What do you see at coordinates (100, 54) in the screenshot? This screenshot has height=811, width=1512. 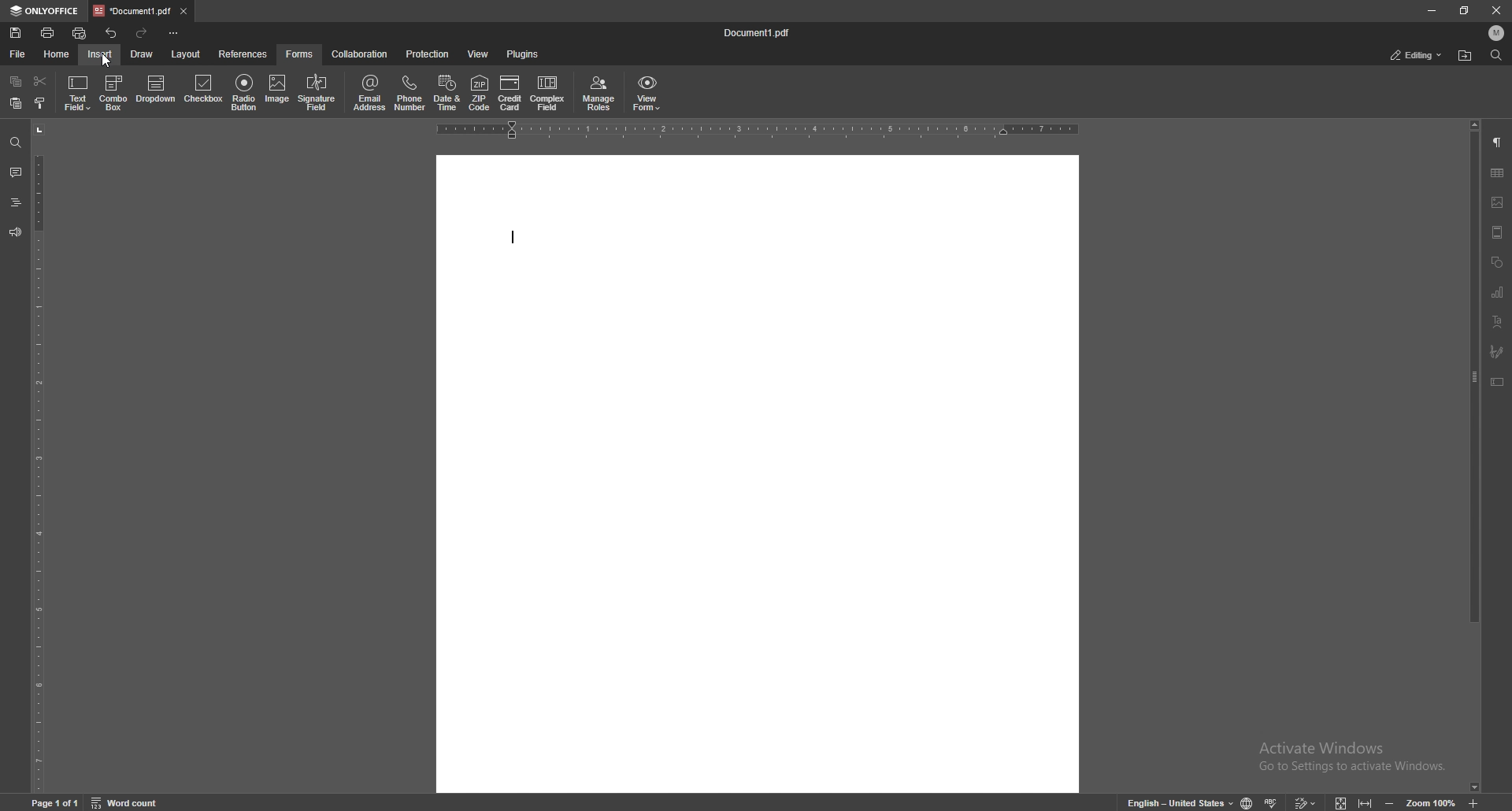 I see `insert` at bounding box center [100, 54].